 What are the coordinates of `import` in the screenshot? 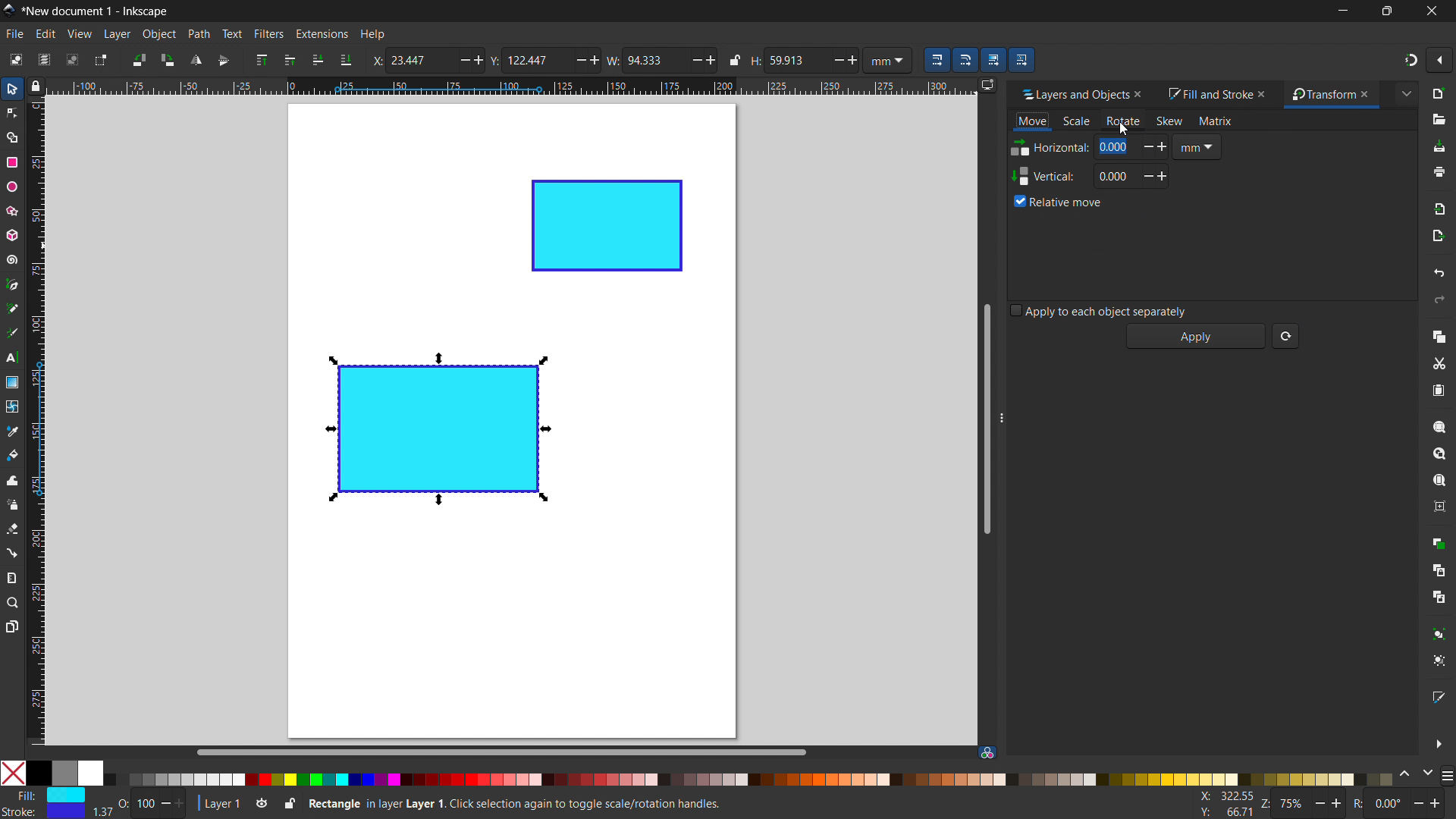 It's located at (1441, 208).